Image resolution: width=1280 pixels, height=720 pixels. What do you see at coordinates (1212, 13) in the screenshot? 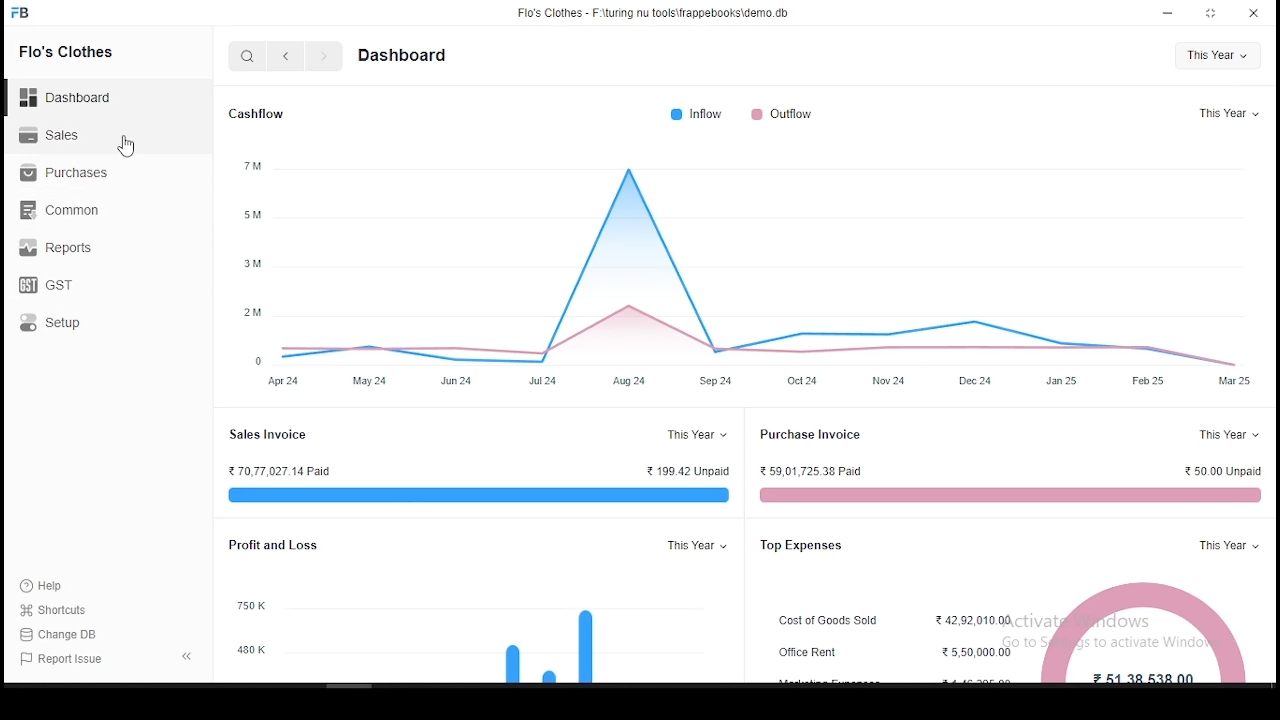
I see `maximize` at bounding box center [1212, 13].